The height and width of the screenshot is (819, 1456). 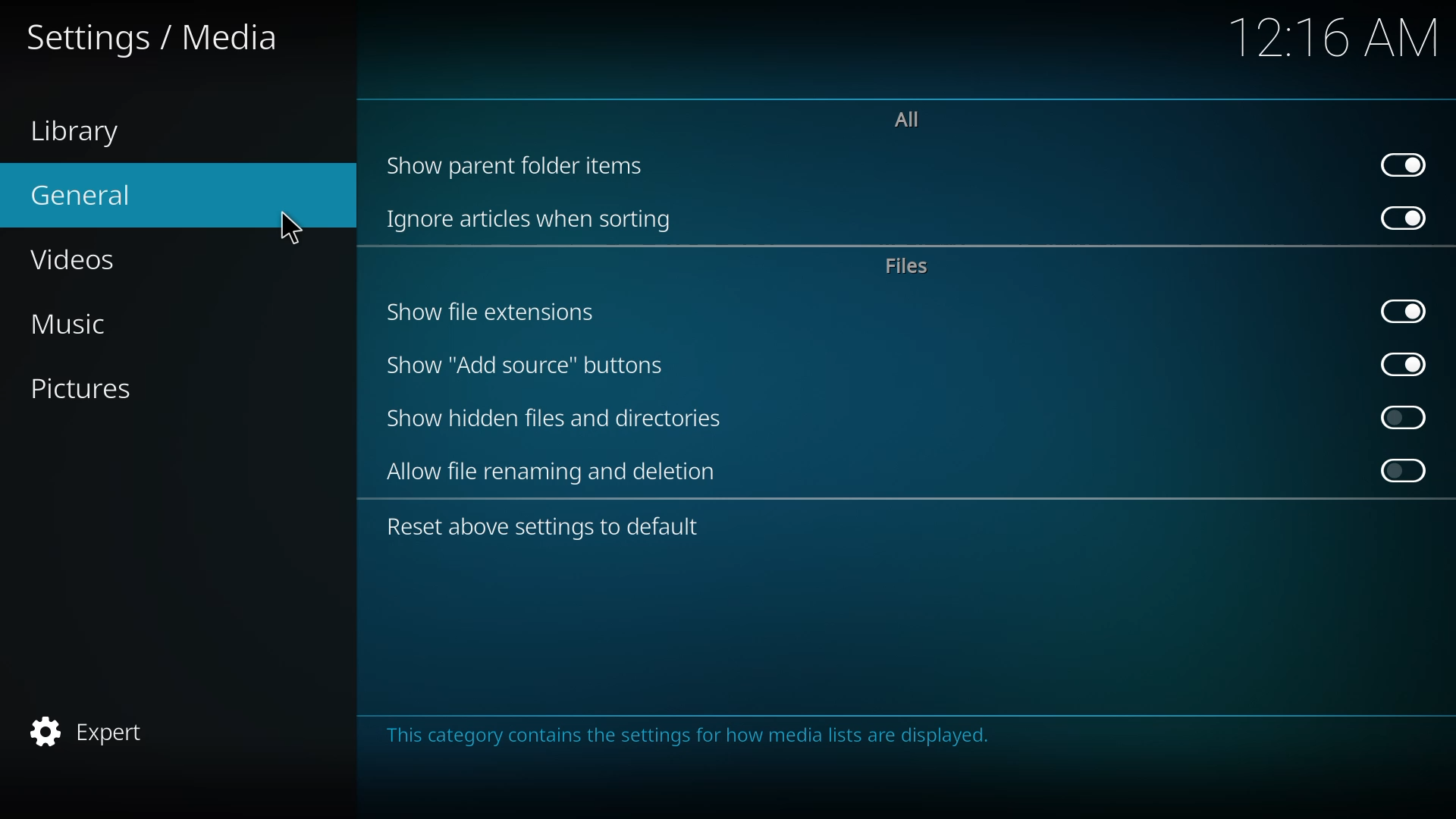 I want to click on show hidden files and directories, so click(x=557, y=418).